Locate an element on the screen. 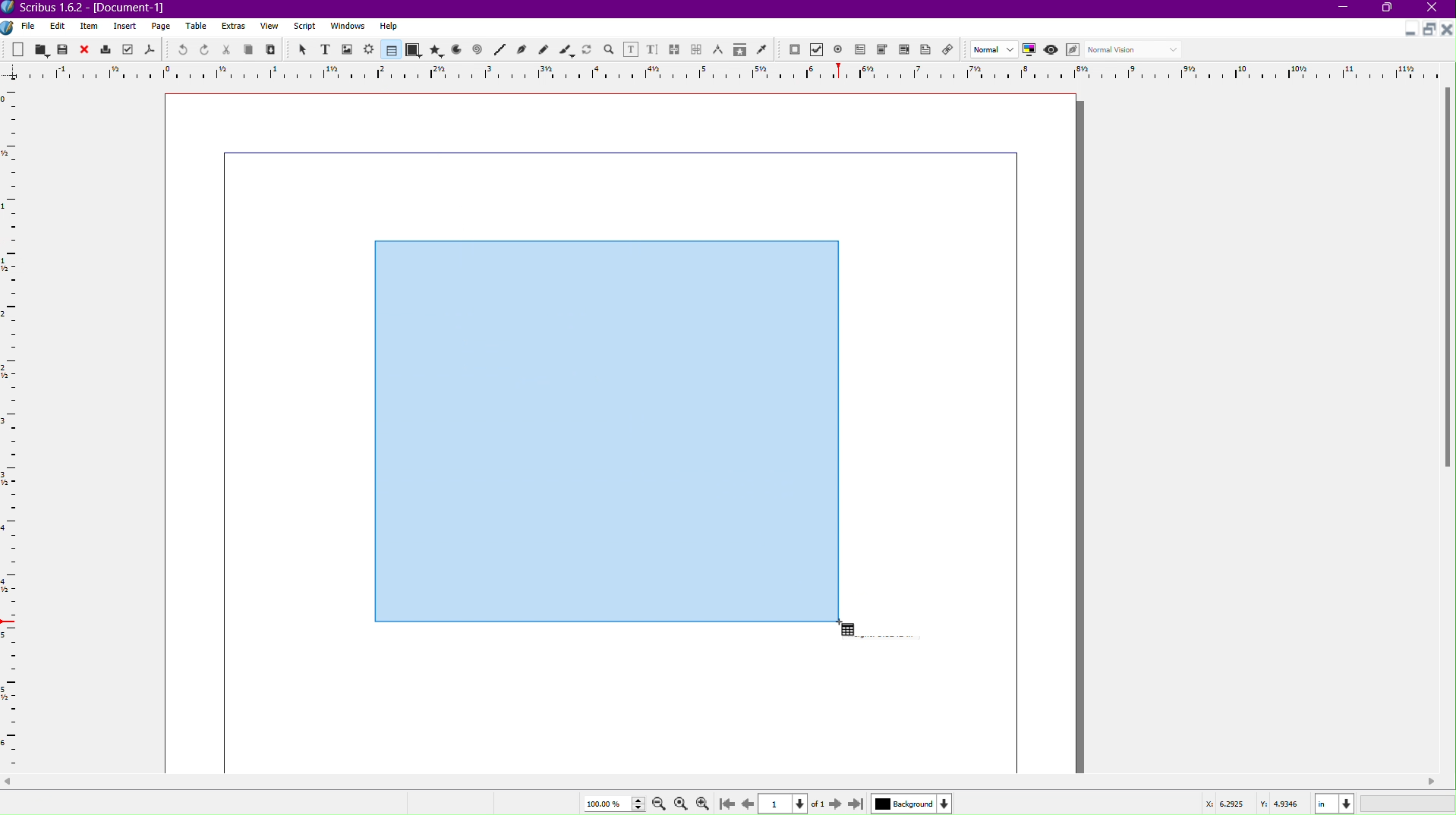  Bezier Curve is located at coordinates (522, 50).